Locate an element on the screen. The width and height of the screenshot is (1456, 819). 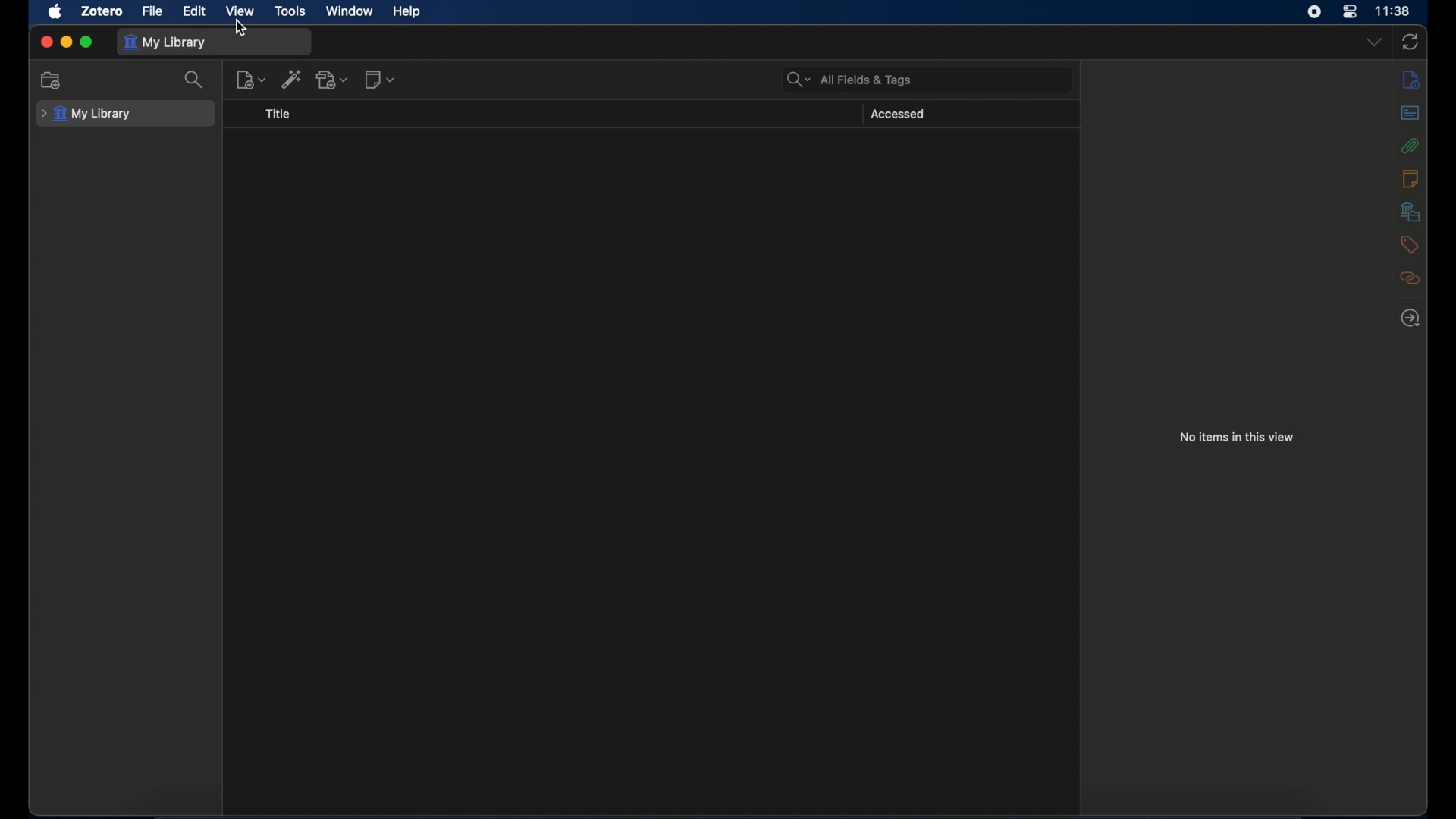
search bar is located at coordinates (849, 80).